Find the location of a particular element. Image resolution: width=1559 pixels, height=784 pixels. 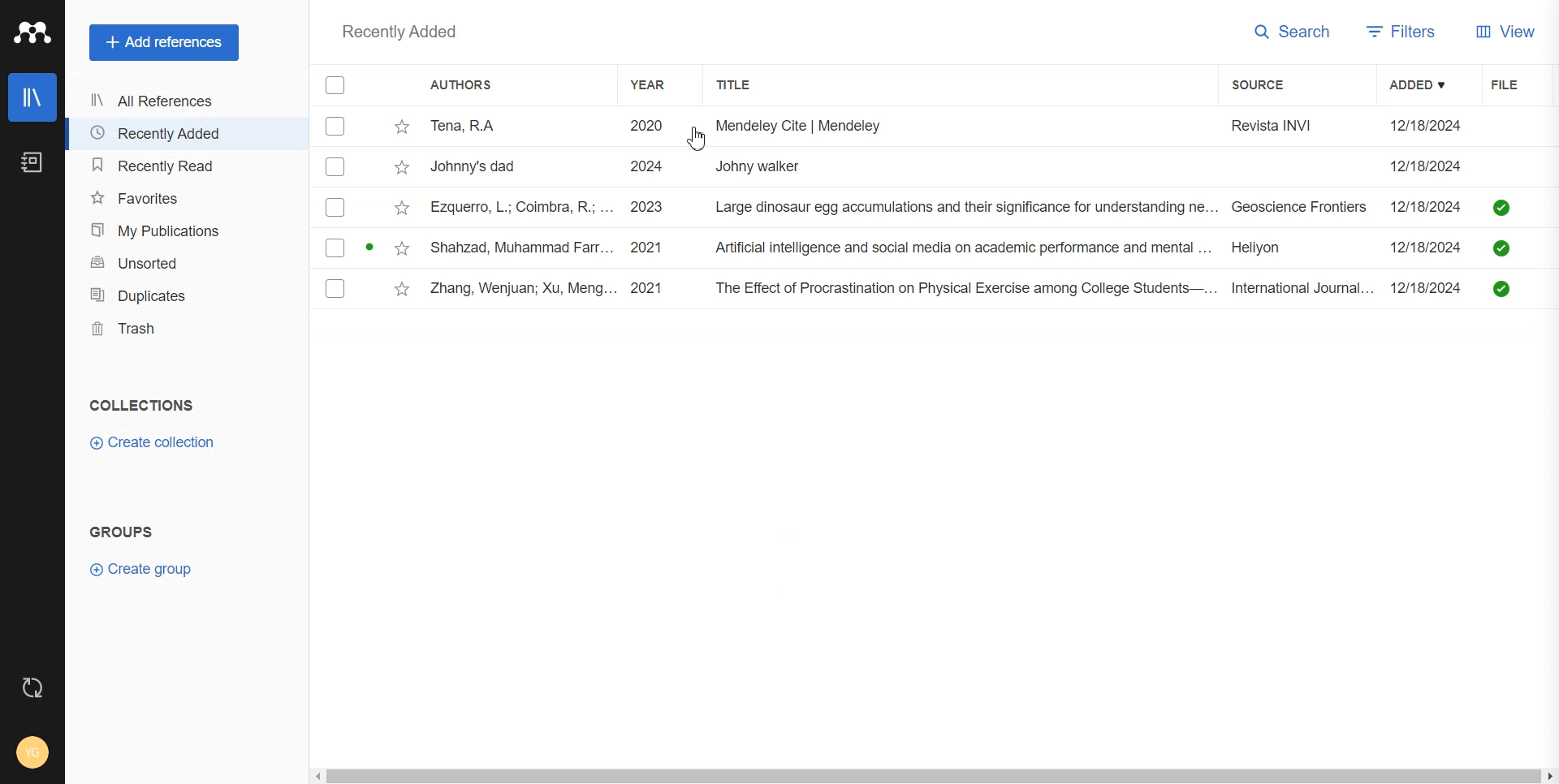

Favorites is located at coordinates (186, 197).